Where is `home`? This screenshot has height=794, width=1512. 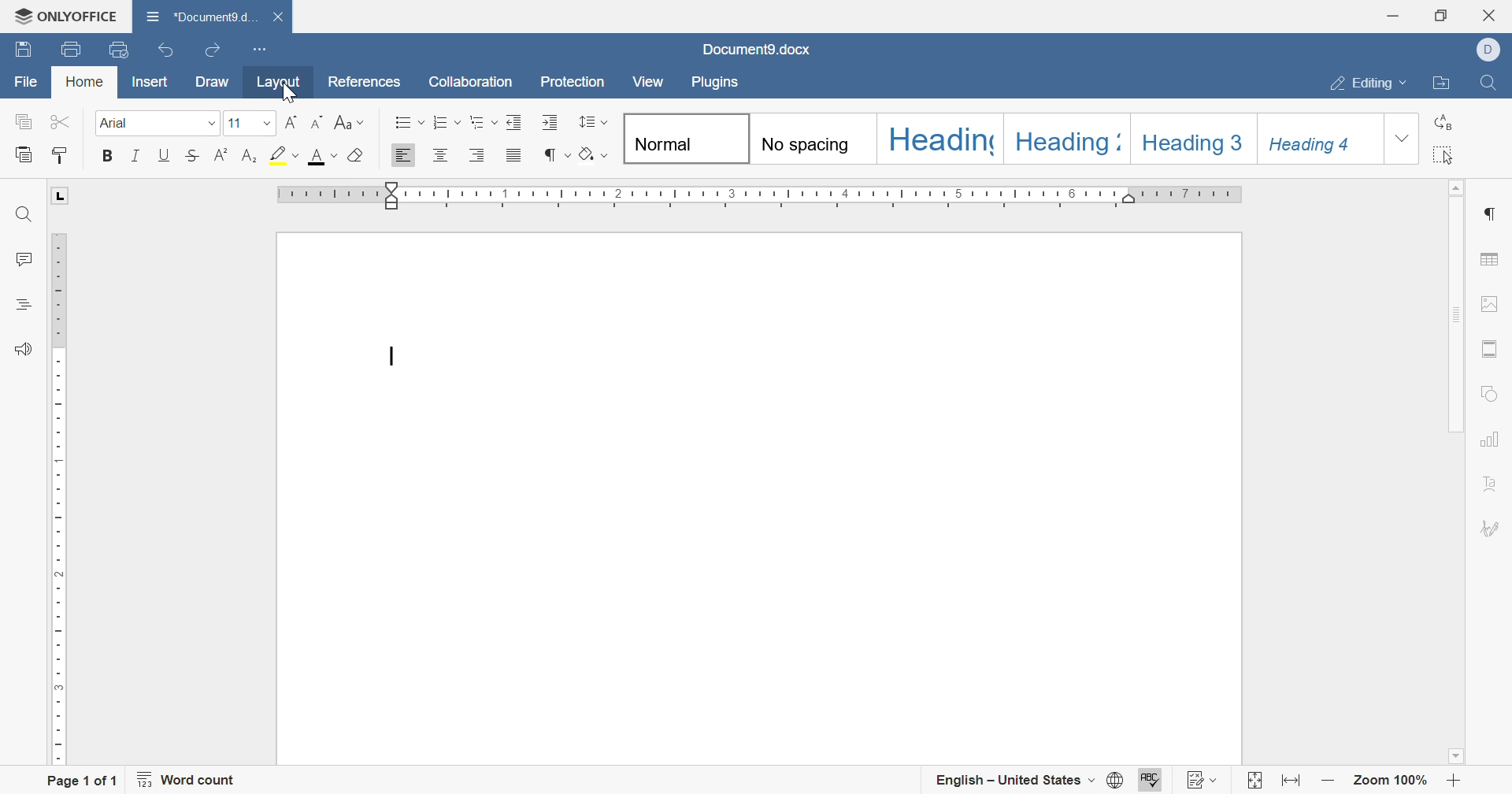
home is located at coordinates (85, 84).